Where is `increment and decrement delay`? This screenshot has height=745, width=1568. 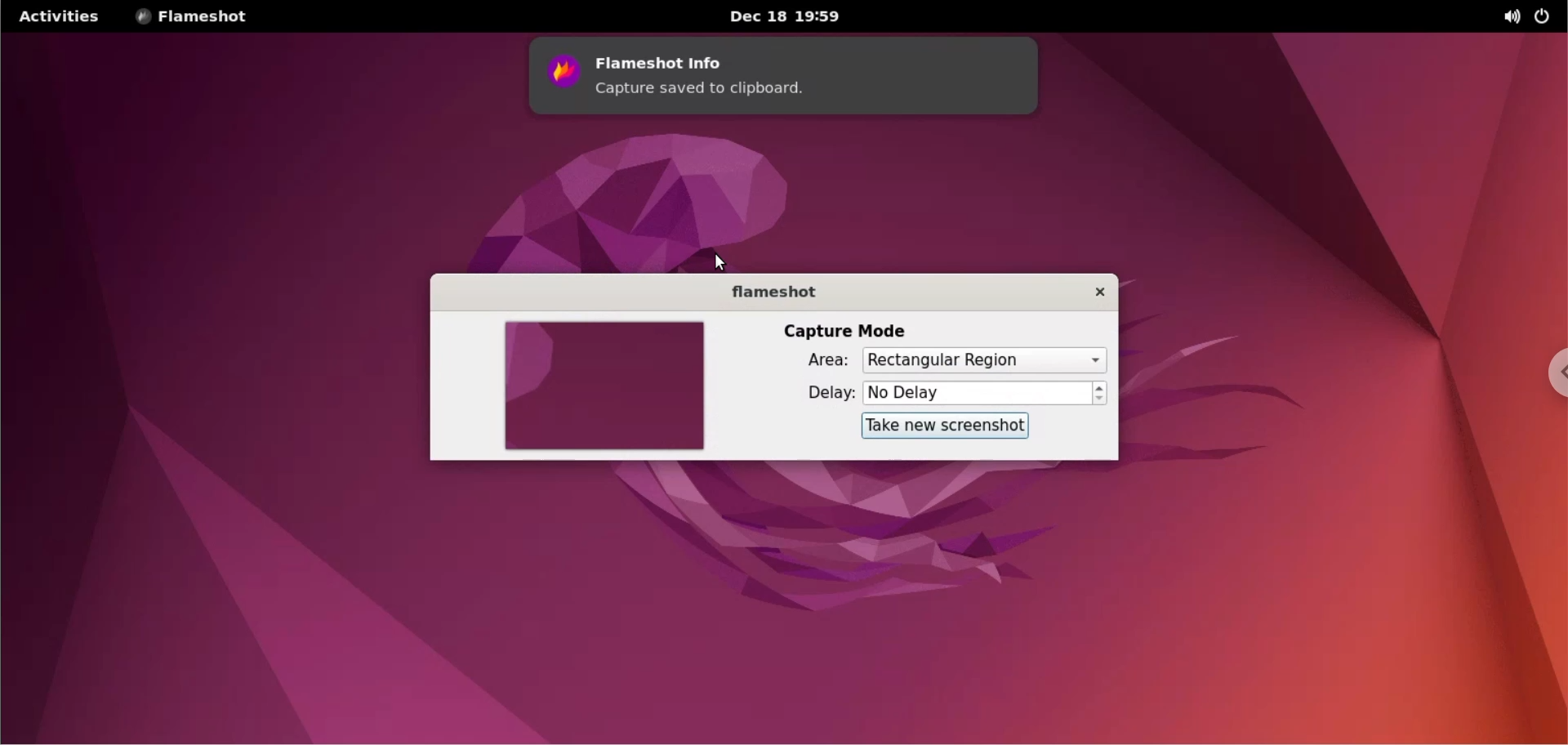 increment and decrement delay is located at coordinates (1104, 392).